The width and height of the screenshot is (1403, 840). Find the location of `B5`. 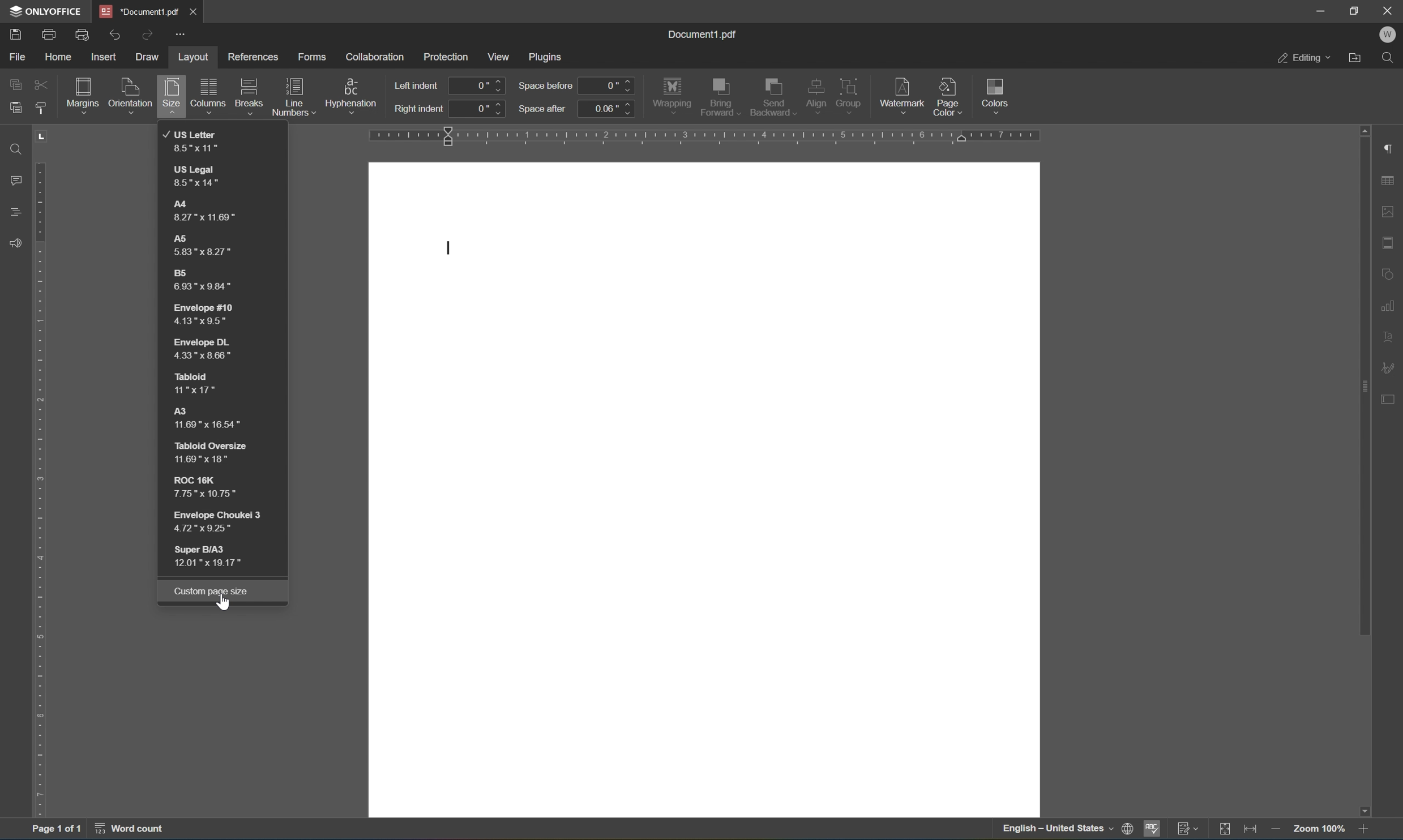

B5 is located at coordinates (204, 282).